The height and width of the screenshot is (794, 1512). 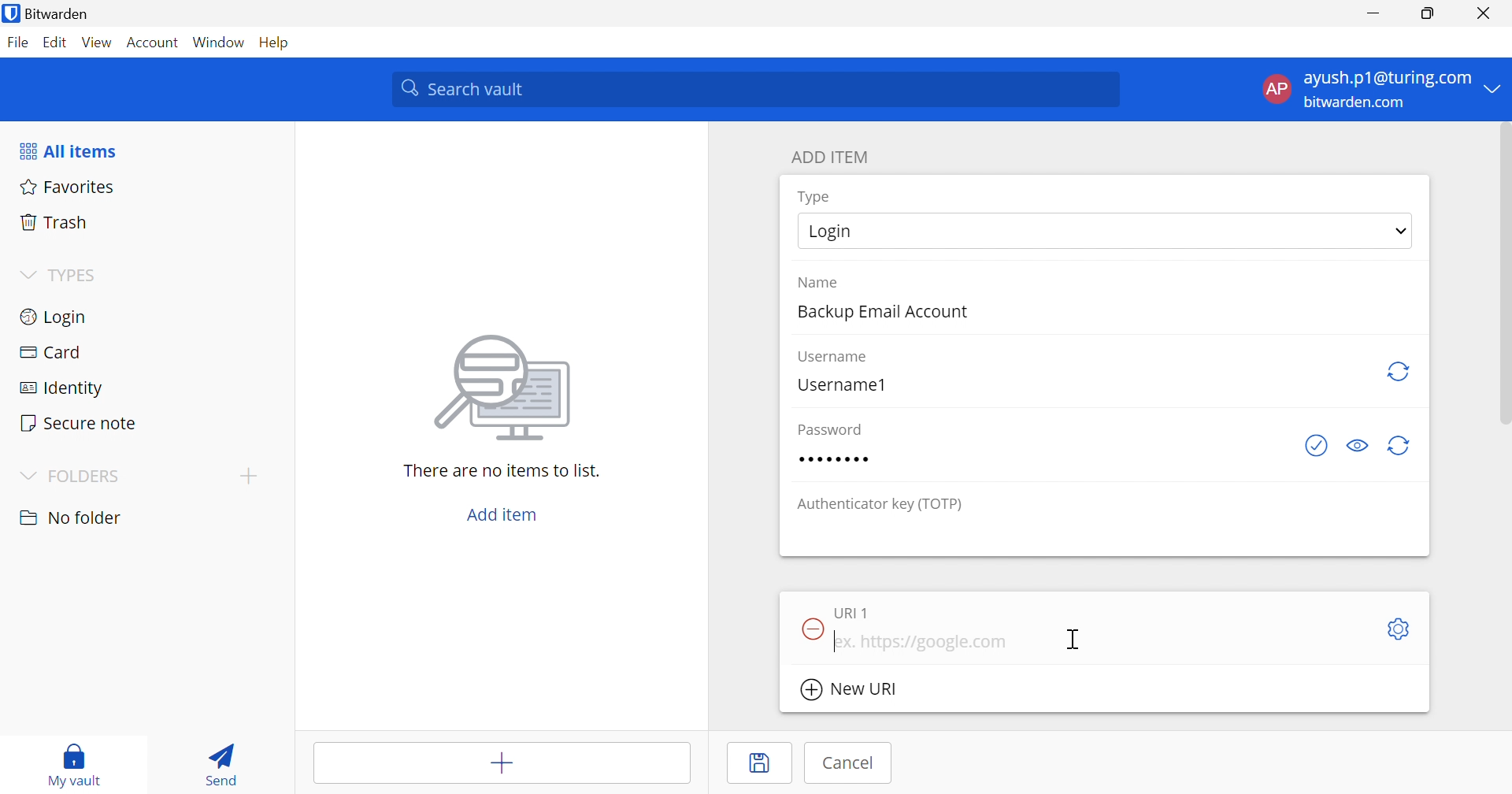 I want to click on Favorites, so click(x=69, y=186).